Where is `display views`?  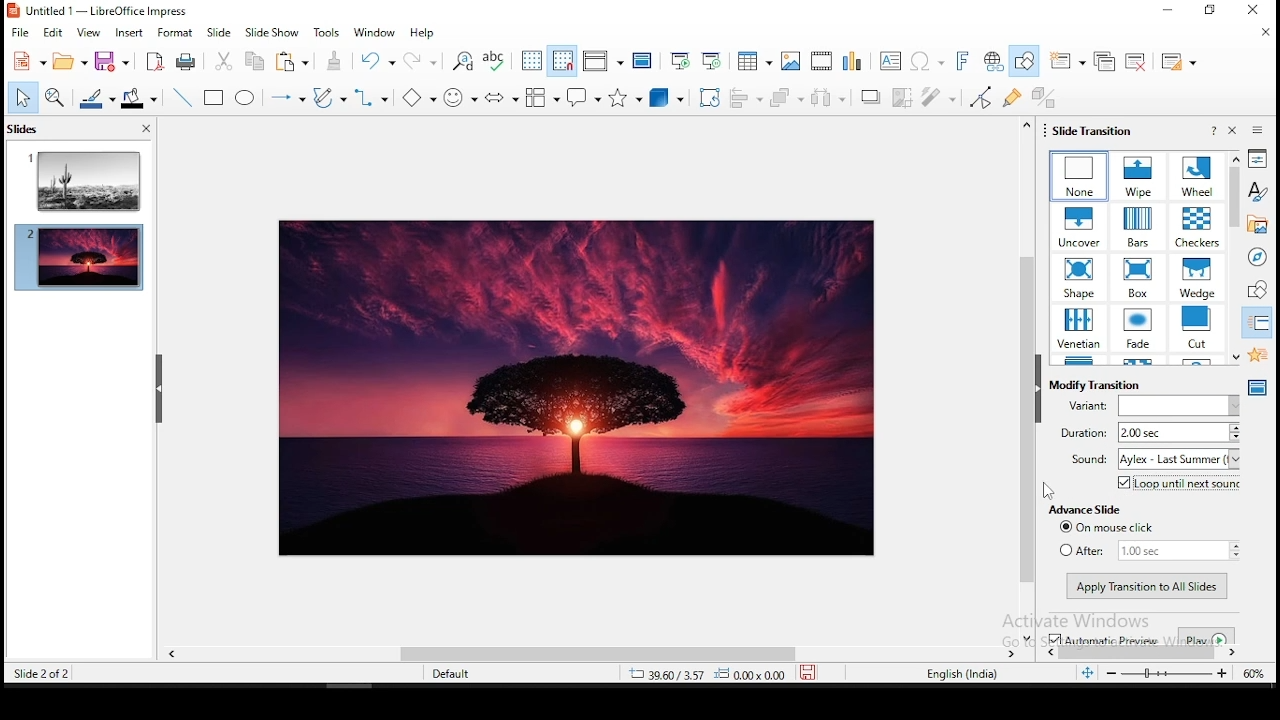
display views is located at coordinates (602, 61).